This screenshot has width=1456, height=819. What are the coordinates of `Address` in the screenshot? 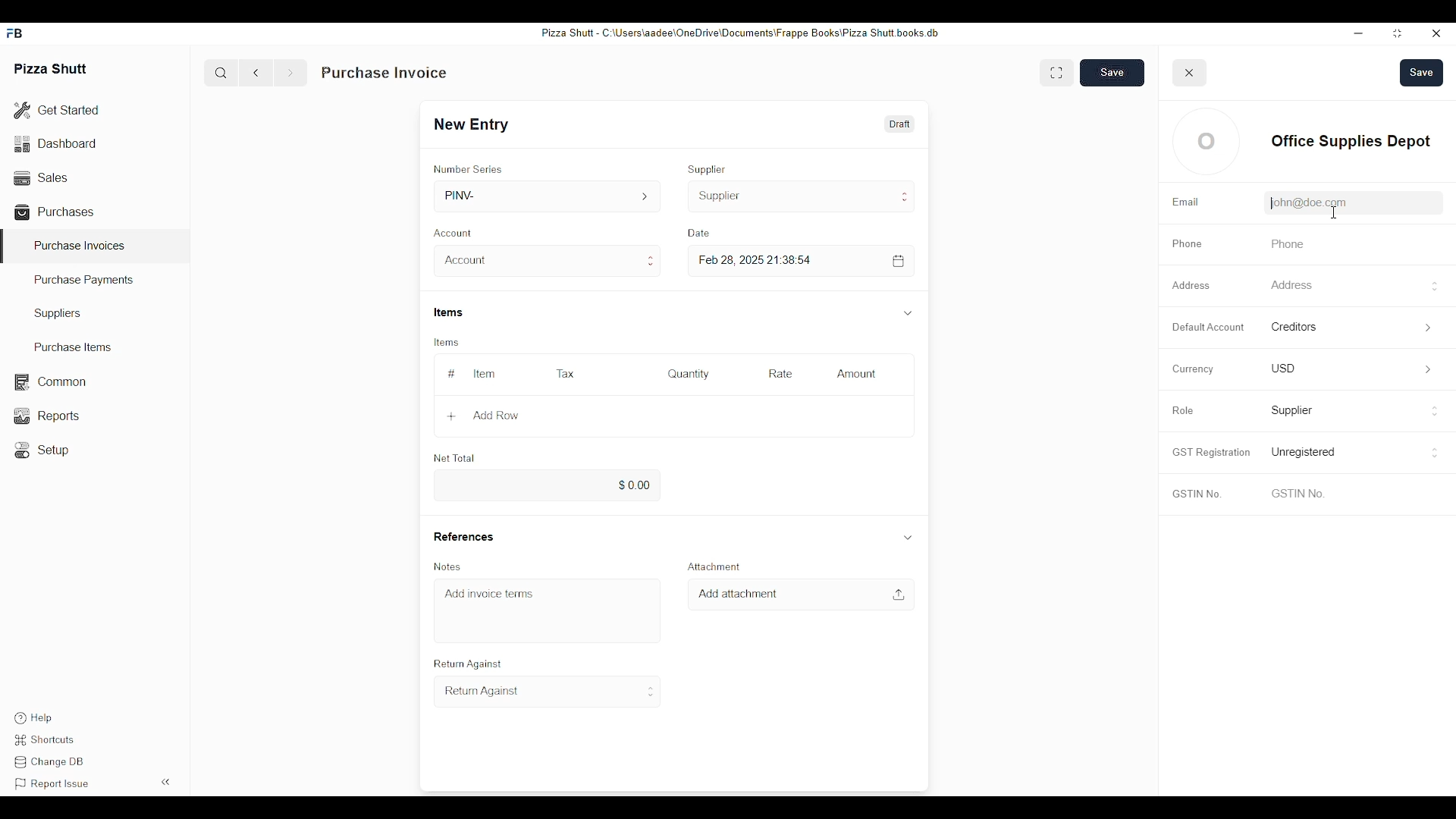 It's located at (1194, 284).